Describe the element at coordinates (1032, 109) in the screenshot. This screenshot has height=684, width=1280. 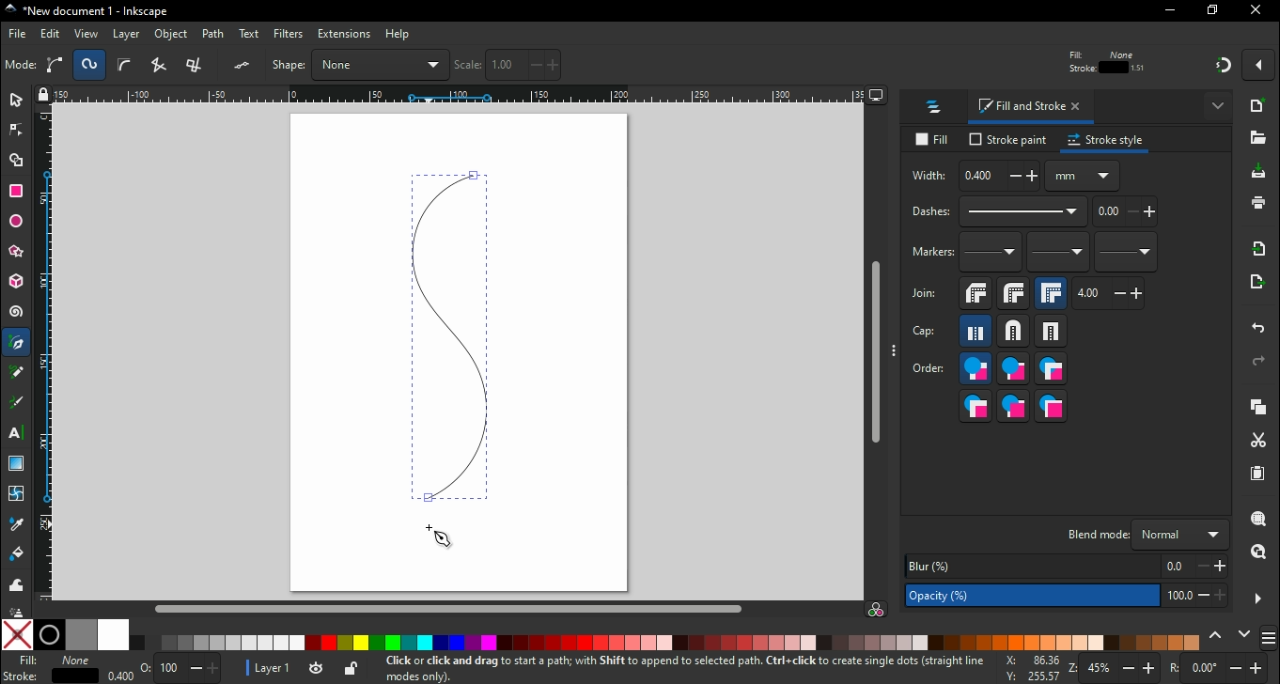
I see `fill and stroke` at that location.